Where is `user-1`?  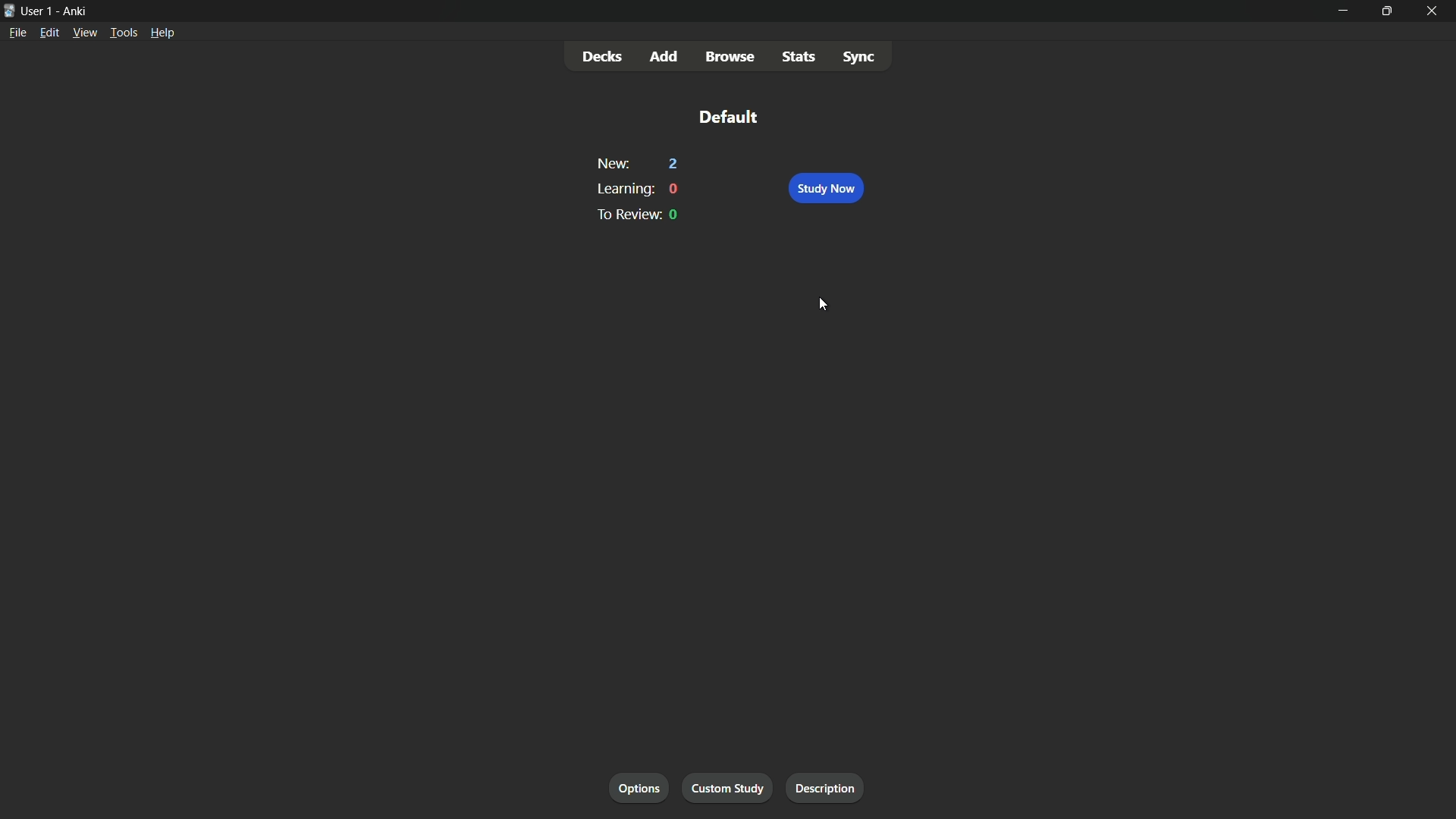
user-1 is located at coordinates (37, 9).